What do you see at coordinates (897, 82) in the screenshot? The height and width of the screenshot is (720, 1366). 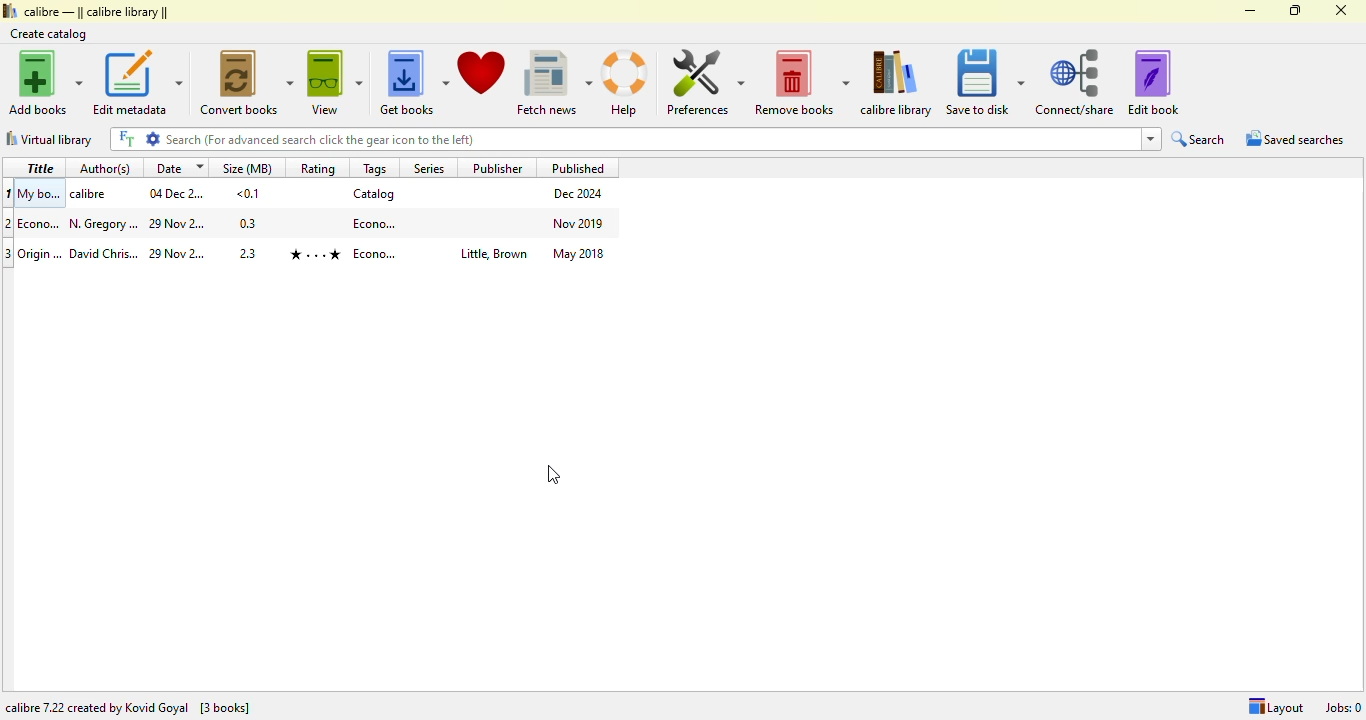 I see `calibre library` at bounding box center [897, 82].